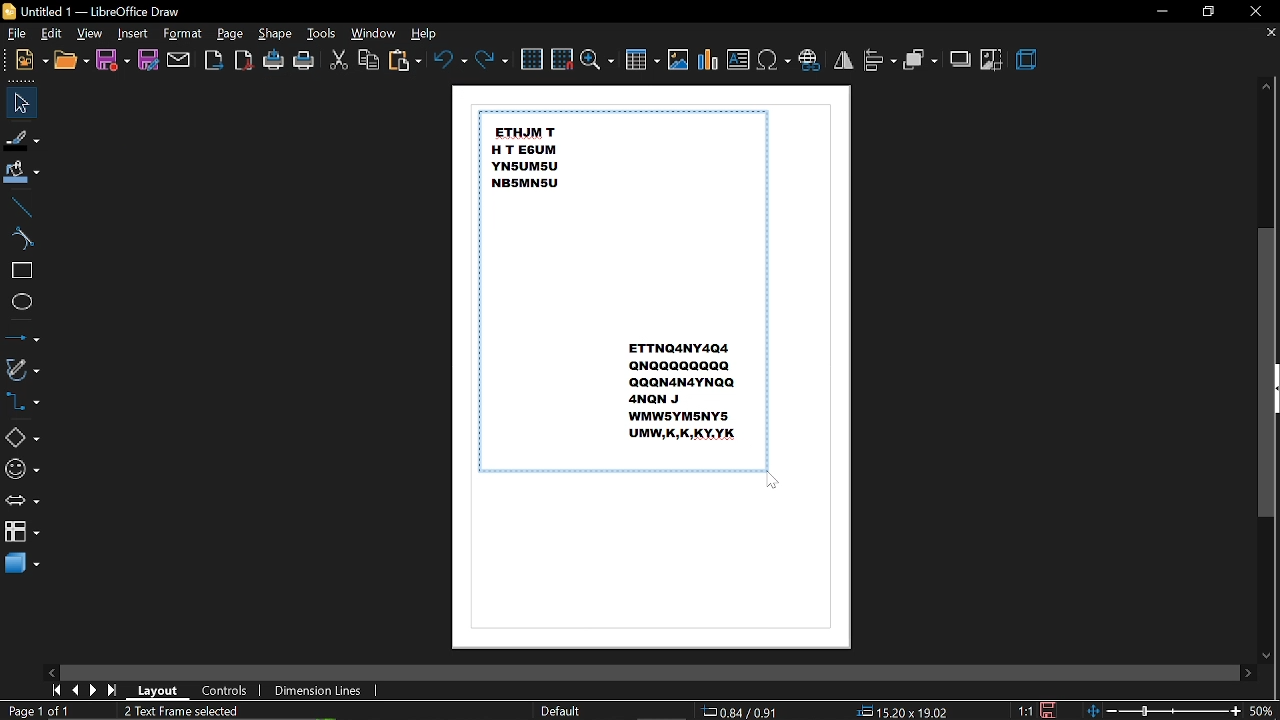 This screenshot has height=720, width=1280. What do you see at coordinates (192, 711) in the screenshot?
I see `2 text frame selected` at bounding box center [192, 711].